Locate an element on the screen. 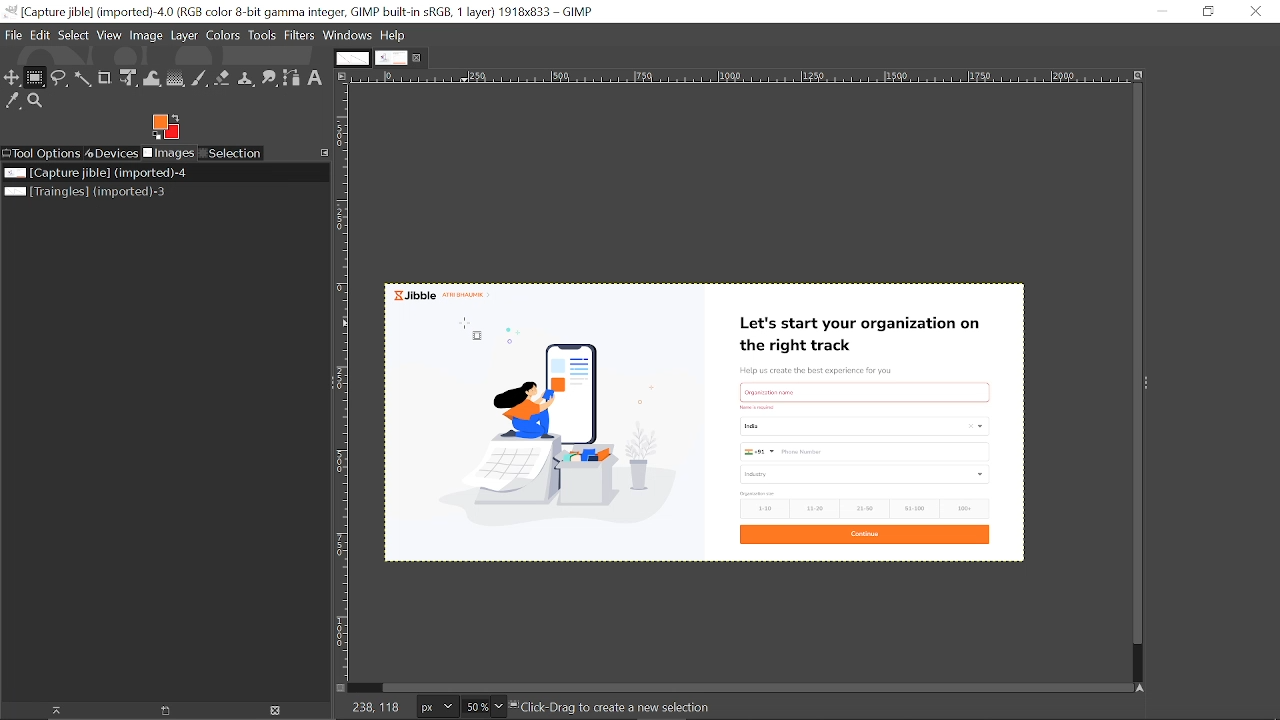  Access this image menu is located at coordinates (342, 76).